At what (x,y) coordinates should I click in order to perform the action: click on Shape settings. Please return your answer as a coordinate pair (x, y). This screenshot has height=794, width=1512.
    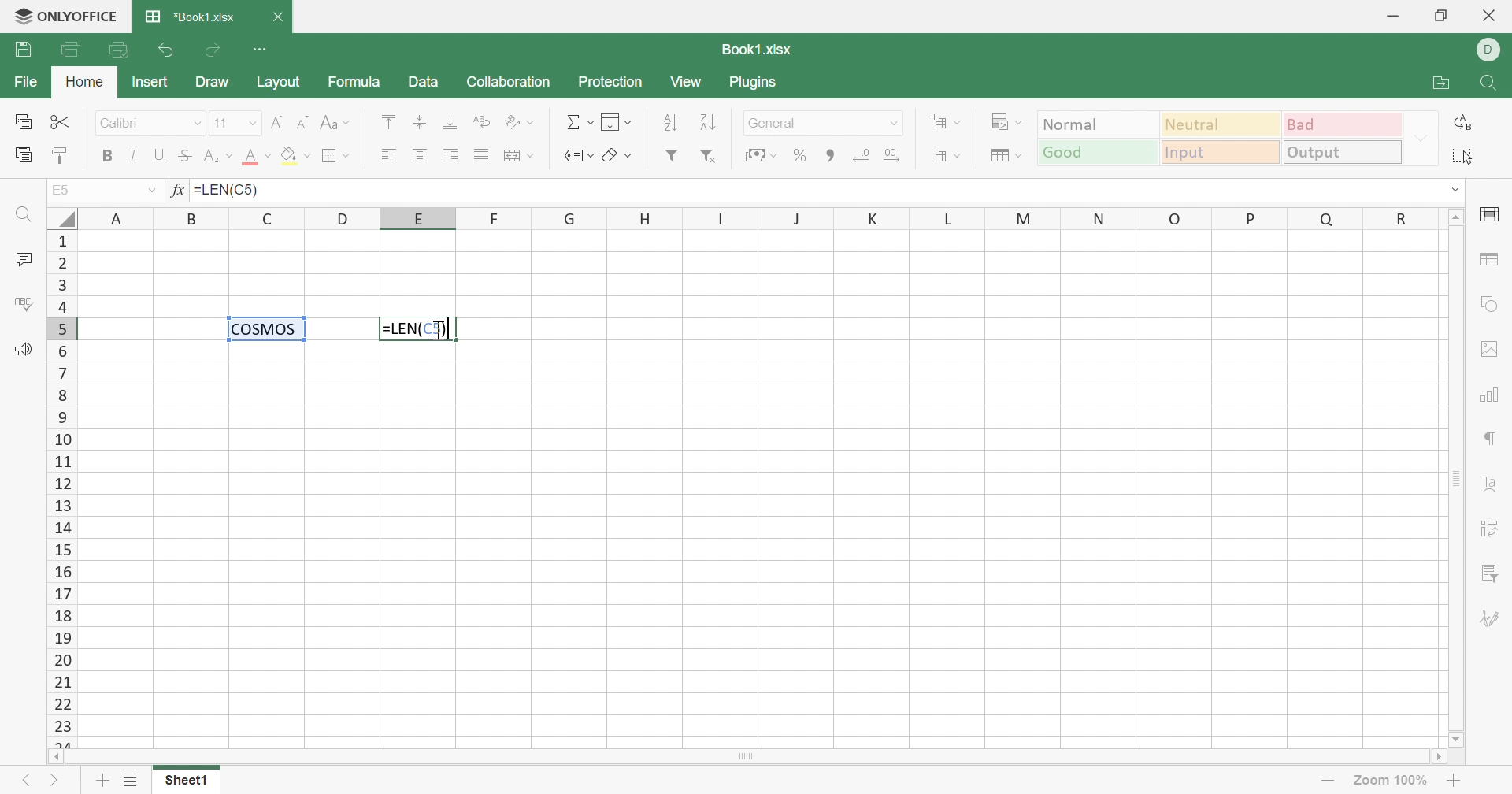
    Looking at the image, I should click on (1493, 306).